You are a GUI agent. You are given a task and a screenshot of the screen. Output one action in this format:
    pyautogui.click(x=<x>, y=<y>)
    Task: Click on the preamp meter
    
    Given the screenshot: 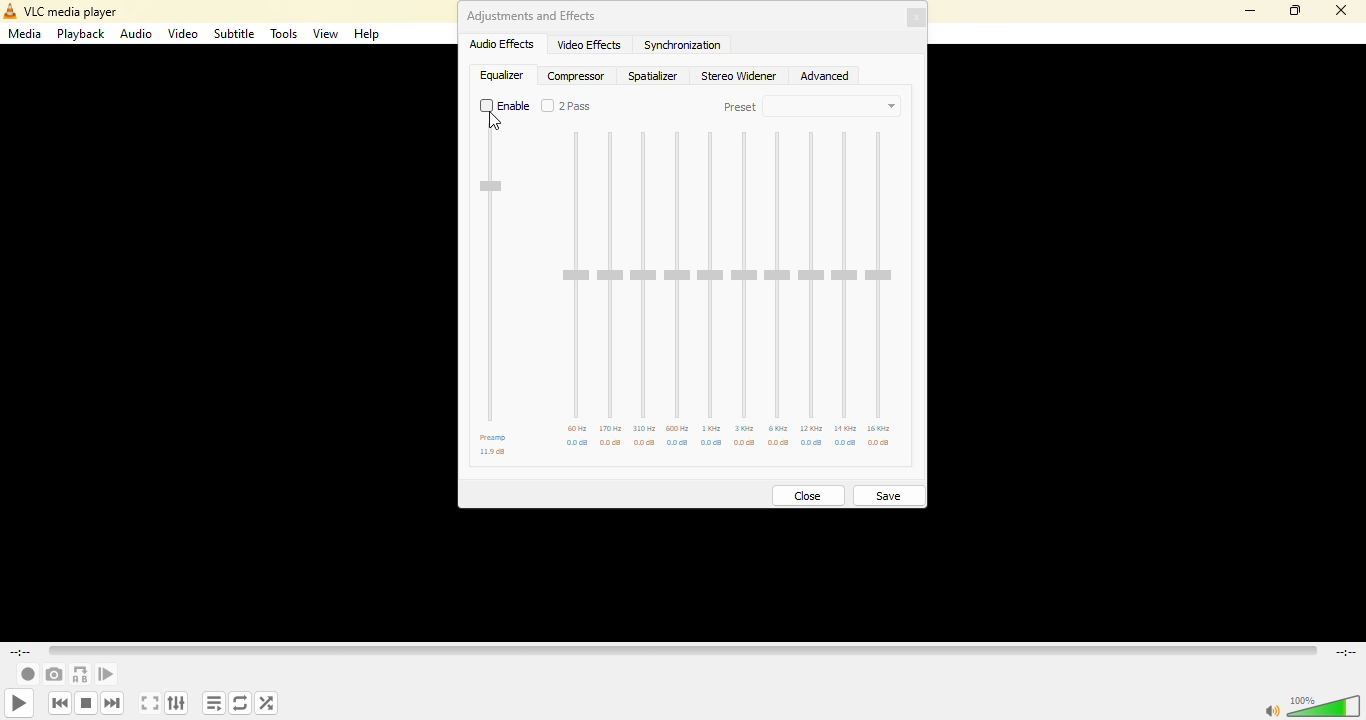 What is the action you would take?
    pyautogui.click(x=492, y=189)
    